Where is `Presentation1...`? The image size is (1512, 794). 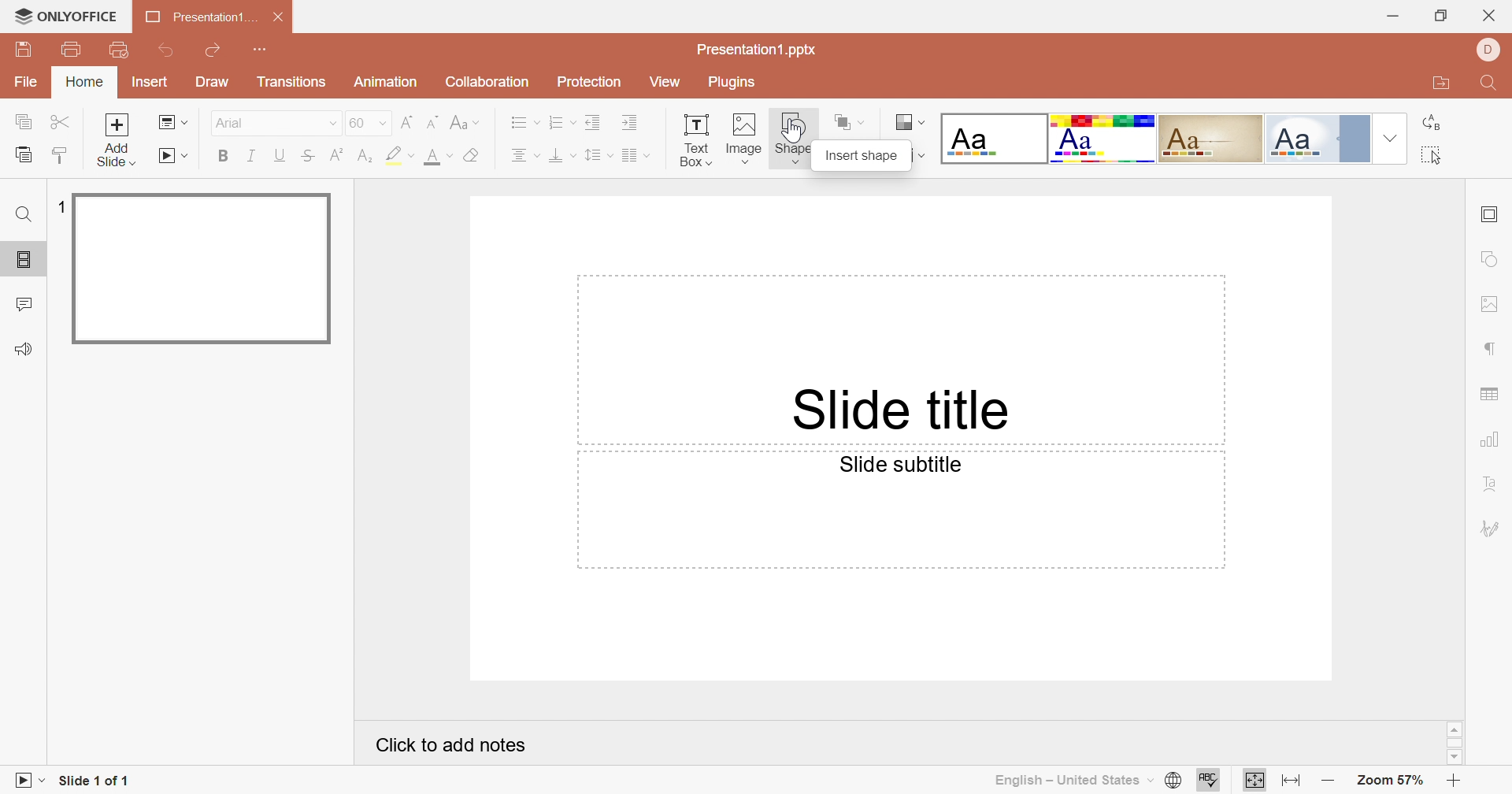
Presentation1... is located at coordinates (202, 17).